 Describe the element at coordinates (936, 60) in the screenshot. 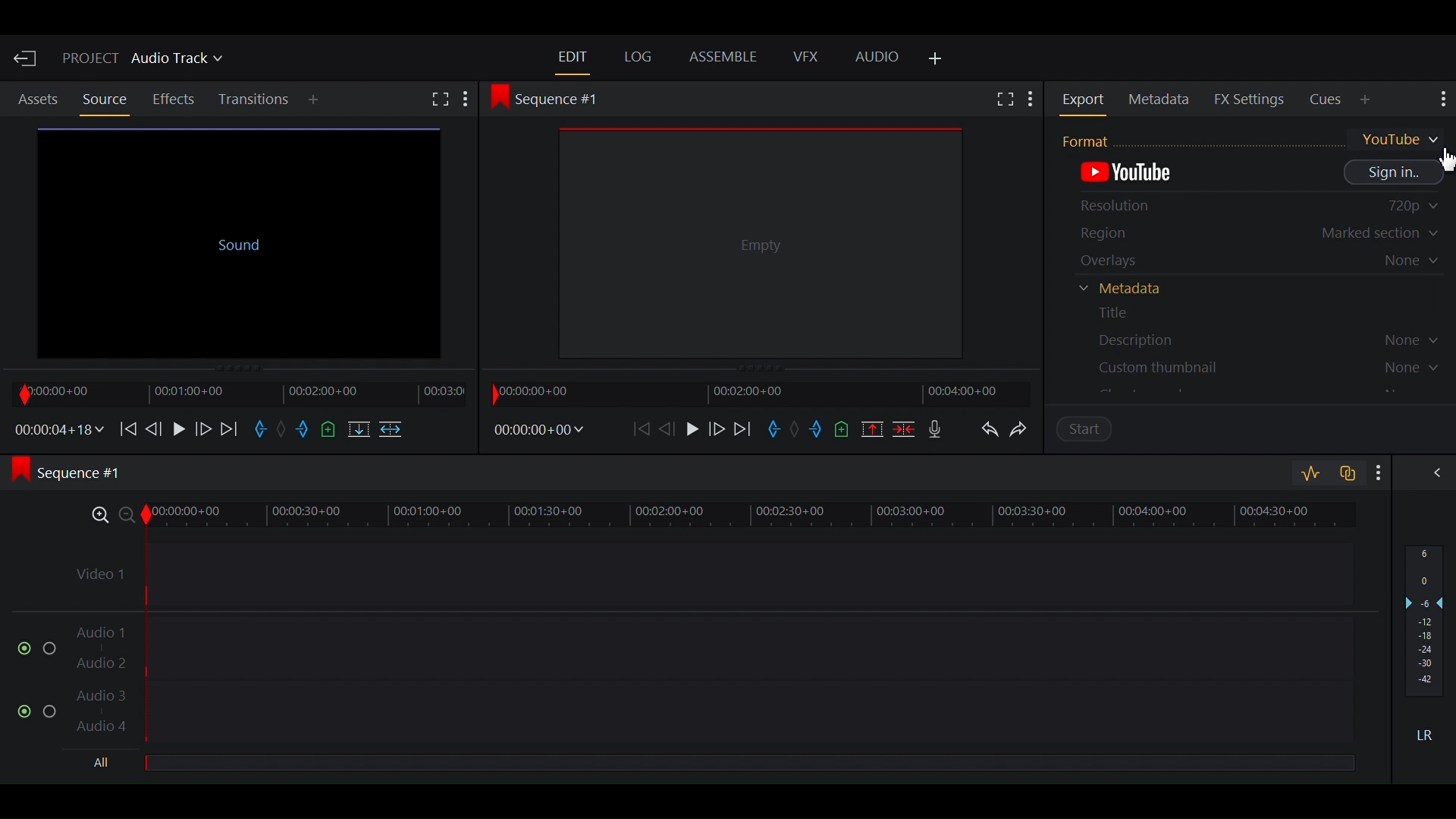

I see `Add Panel` at that location.